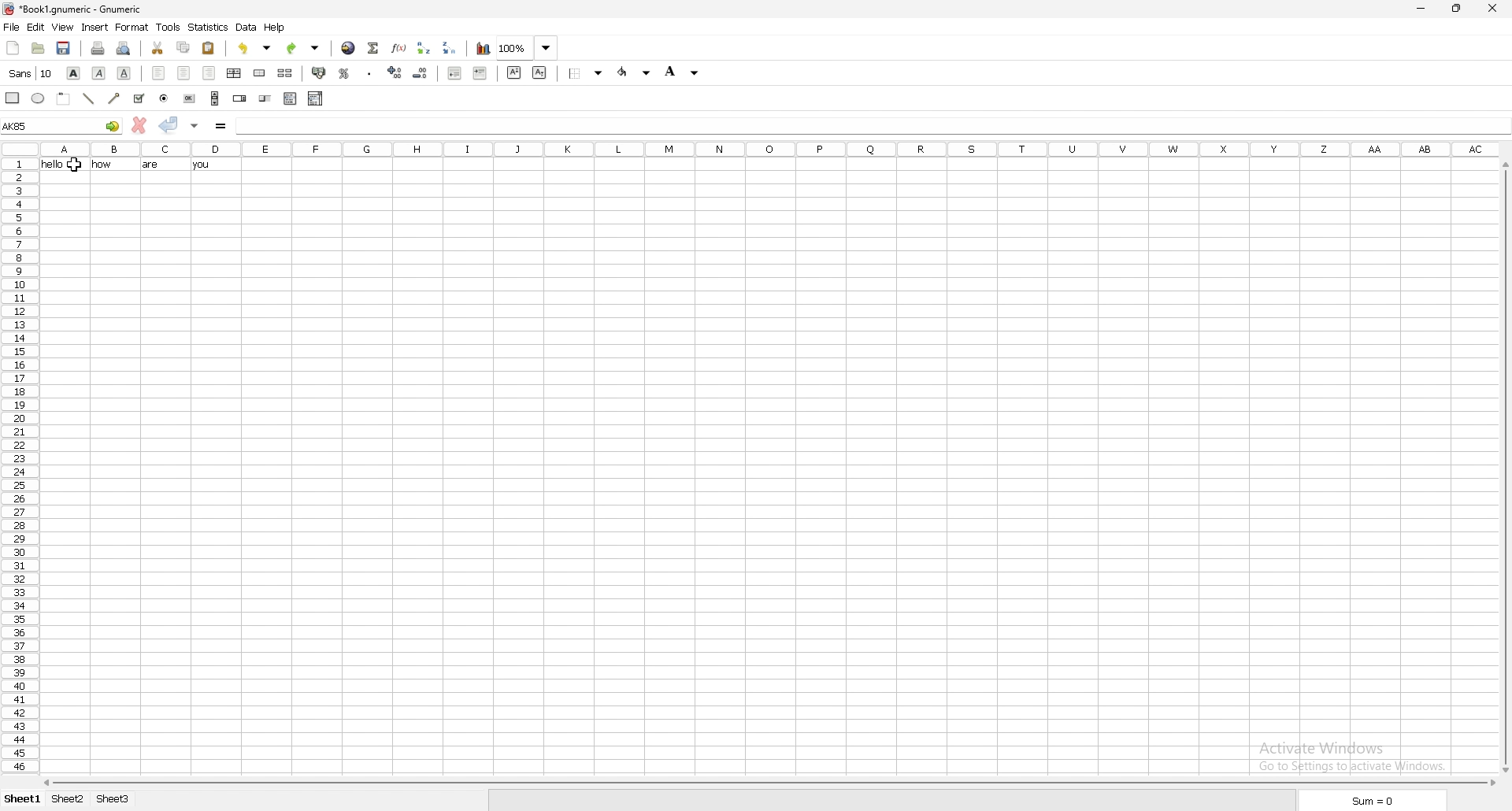  Describe the element at coordinates (399, 47) in the screenshot. I see `functions` at that location.